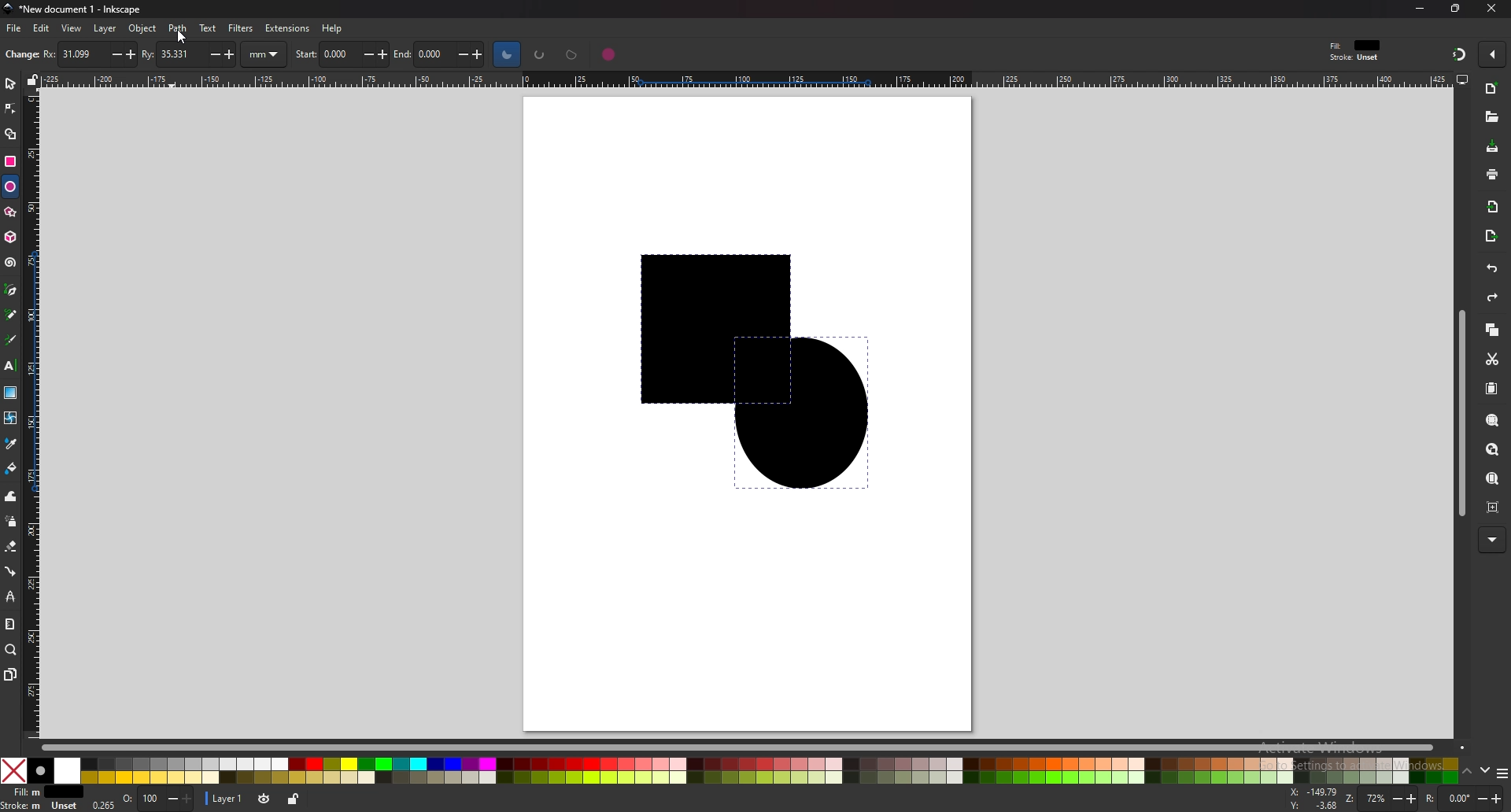  I want to click on toggle lock, so click(291, 799).